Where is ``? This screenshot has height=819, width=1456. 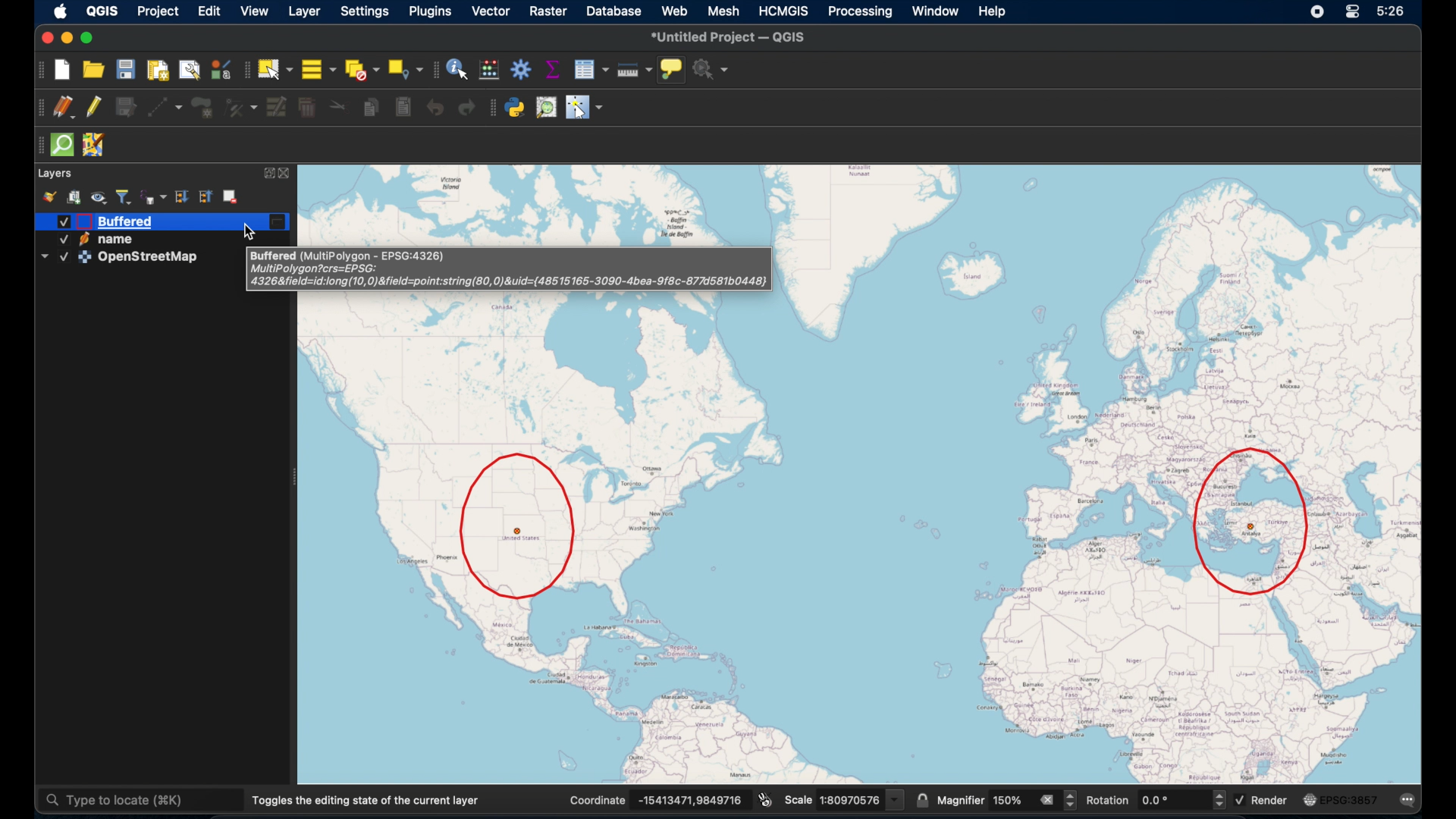  is located at coordinates (45, 37).